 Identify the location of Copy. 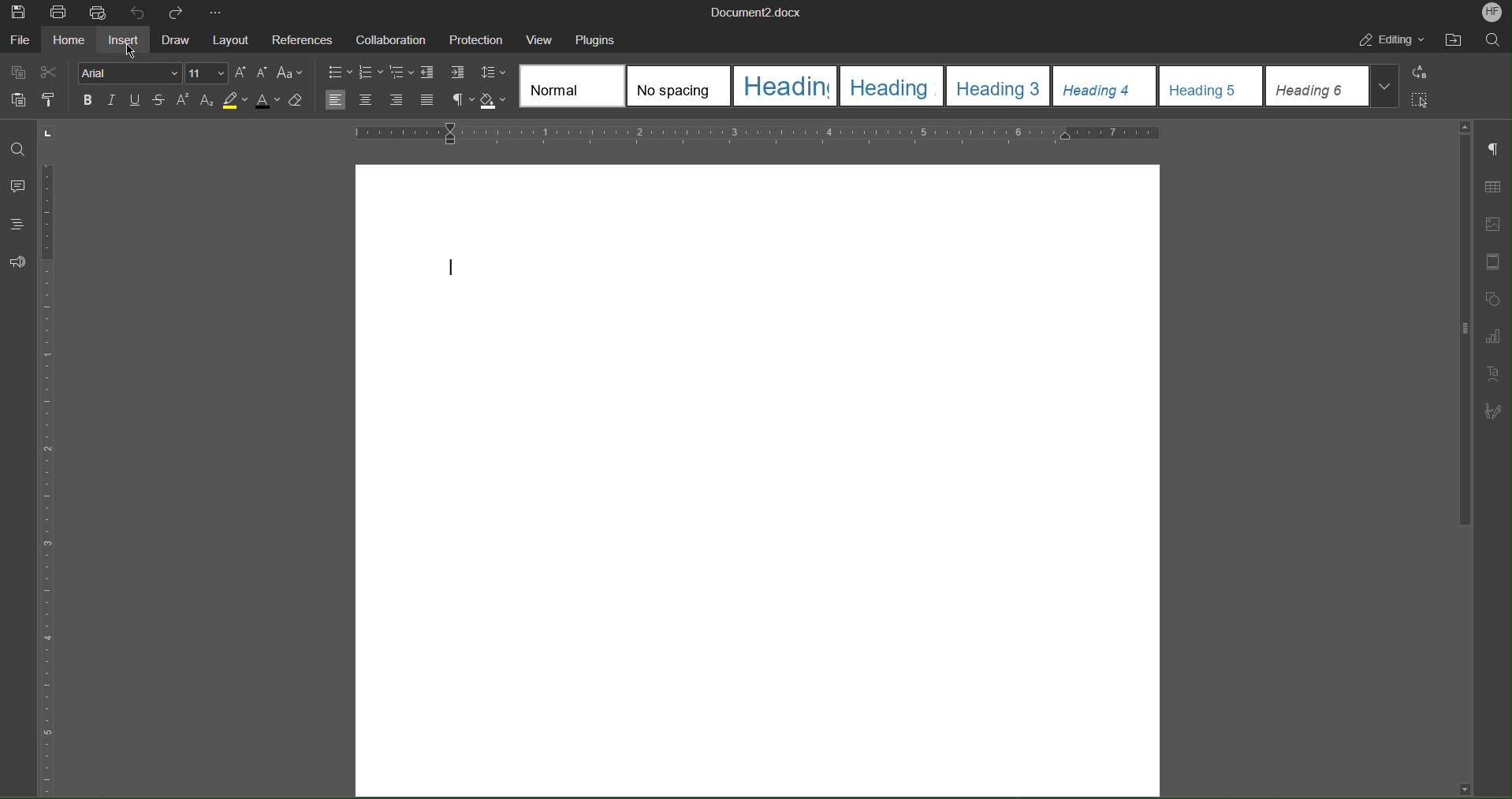
(17, 70).